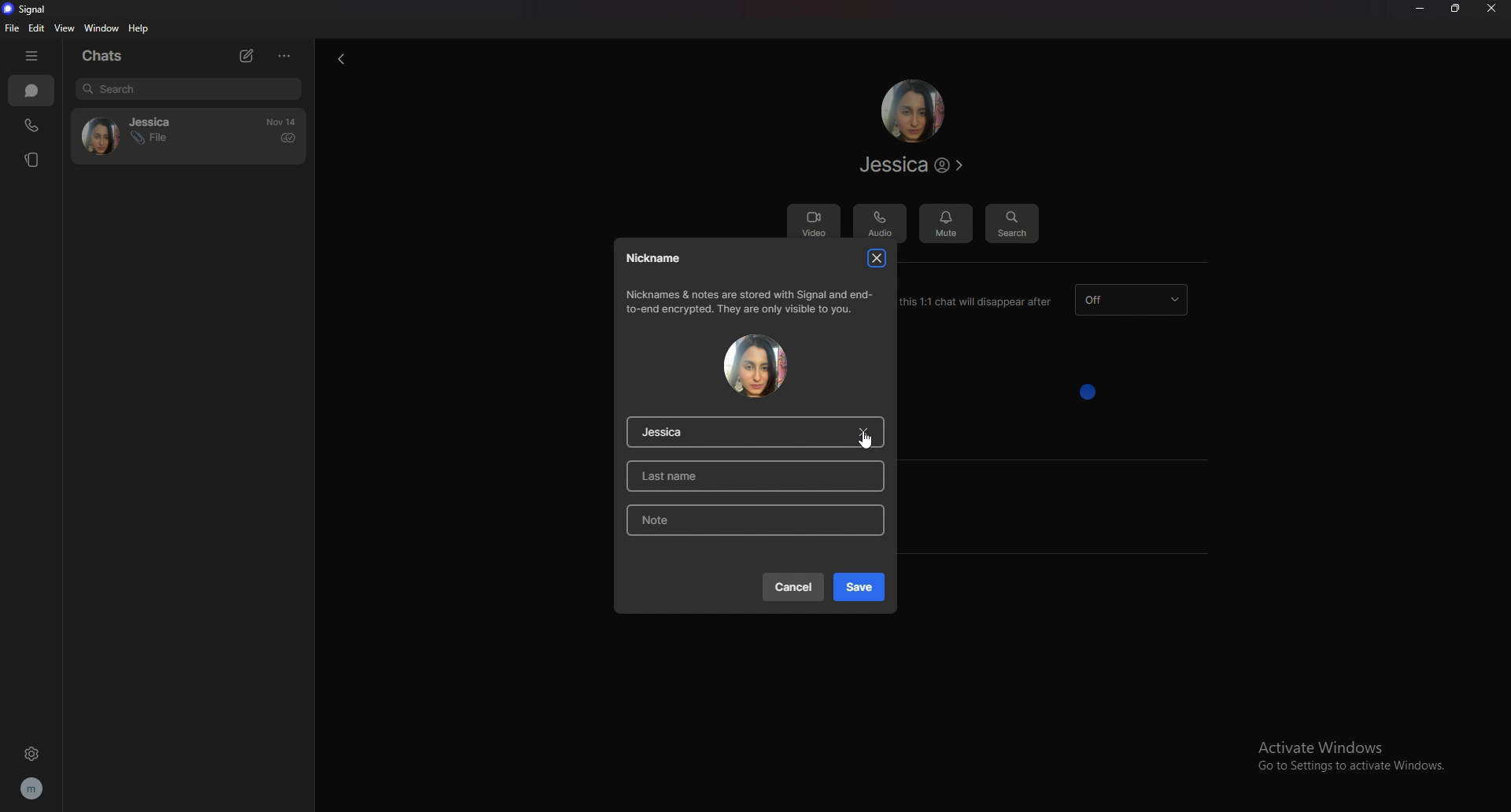 The width and height of the screenshot is (1511, 812). Describe the element at coordinates (31, 90) in the screenshot. I see `chats` at that location.